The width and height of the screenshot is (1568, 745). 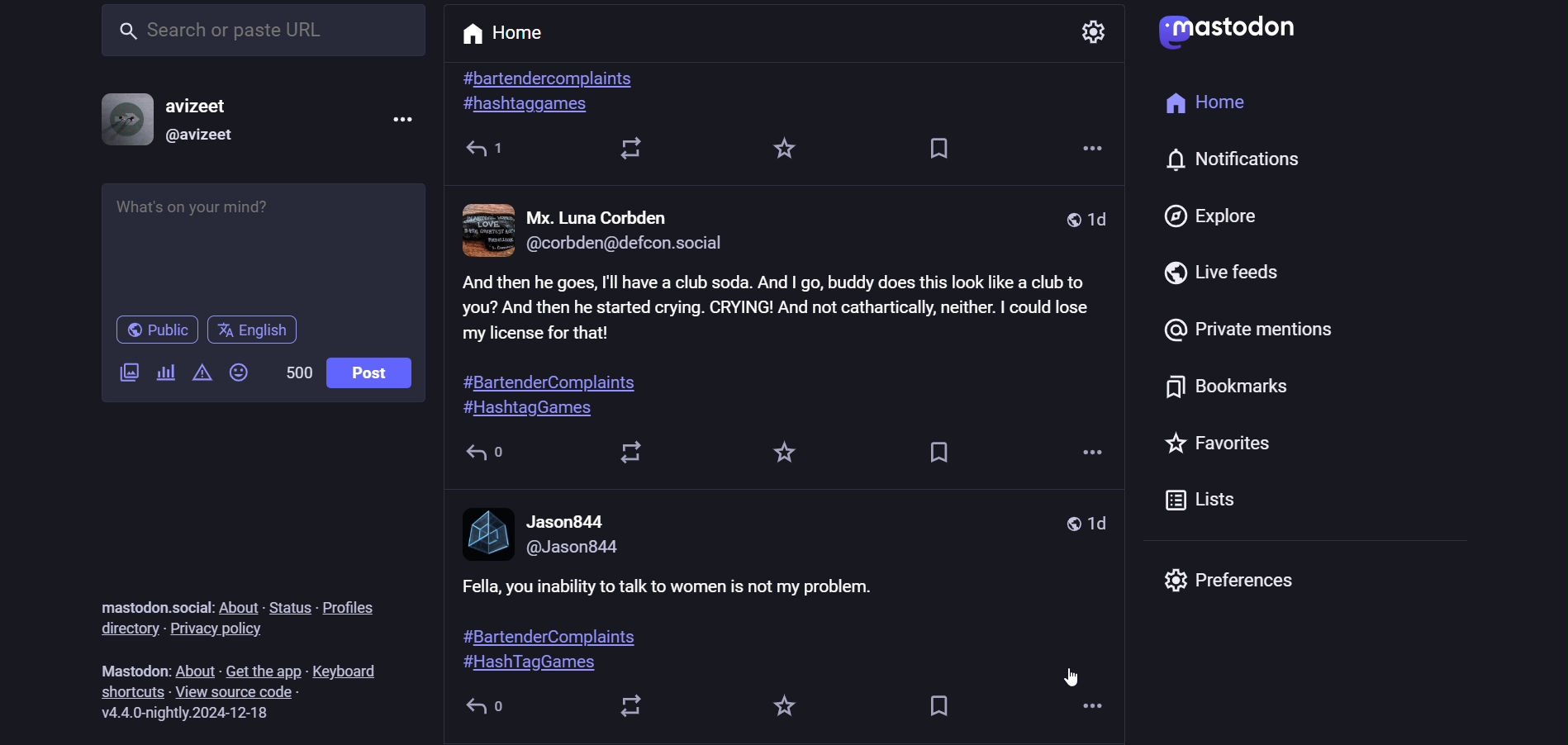 I want to click on replies, so click(x=492, y=709).